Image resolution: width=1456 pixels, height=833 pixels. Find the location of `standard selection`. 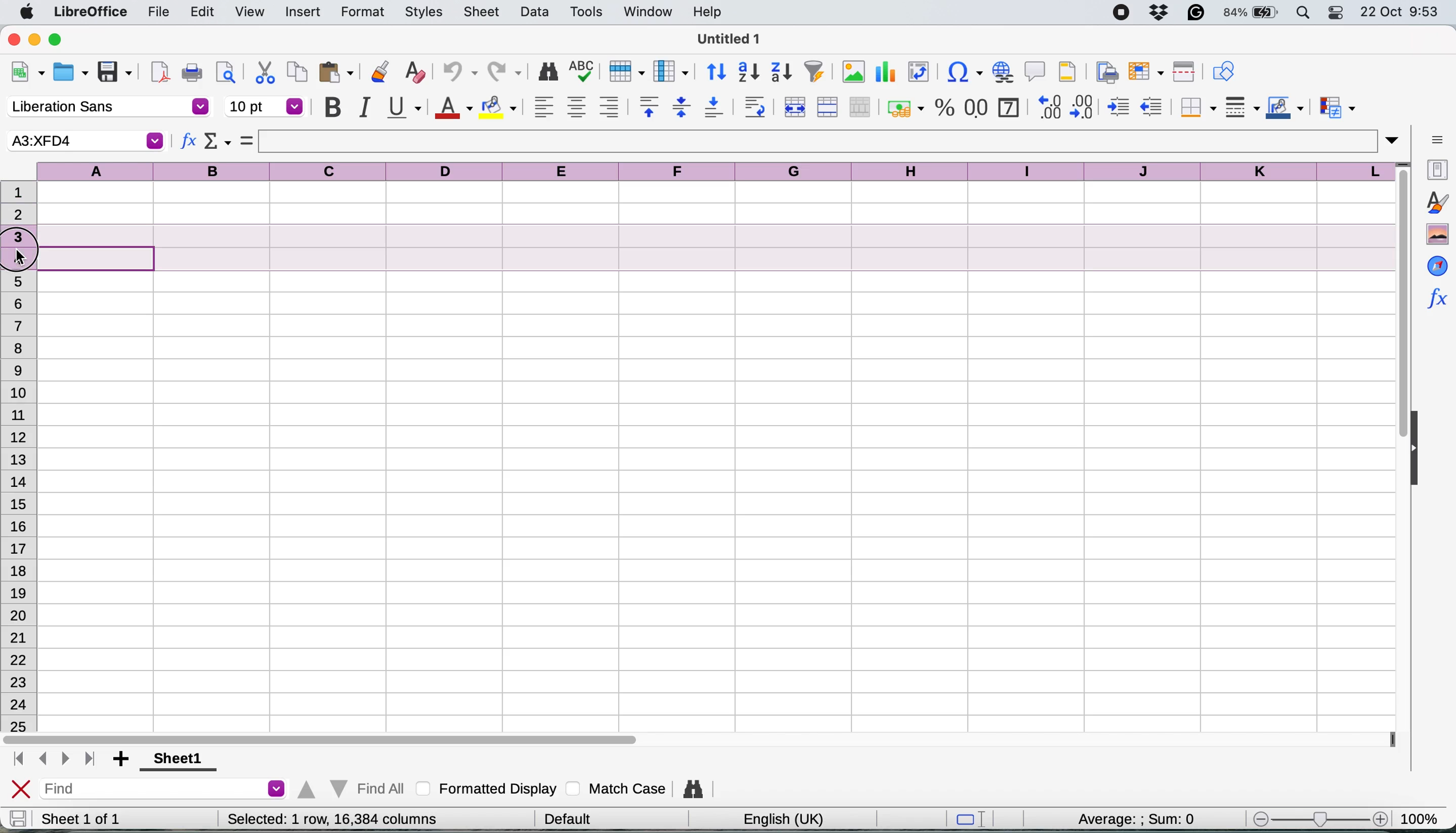

standard selection is located at coordinates (975, 820).